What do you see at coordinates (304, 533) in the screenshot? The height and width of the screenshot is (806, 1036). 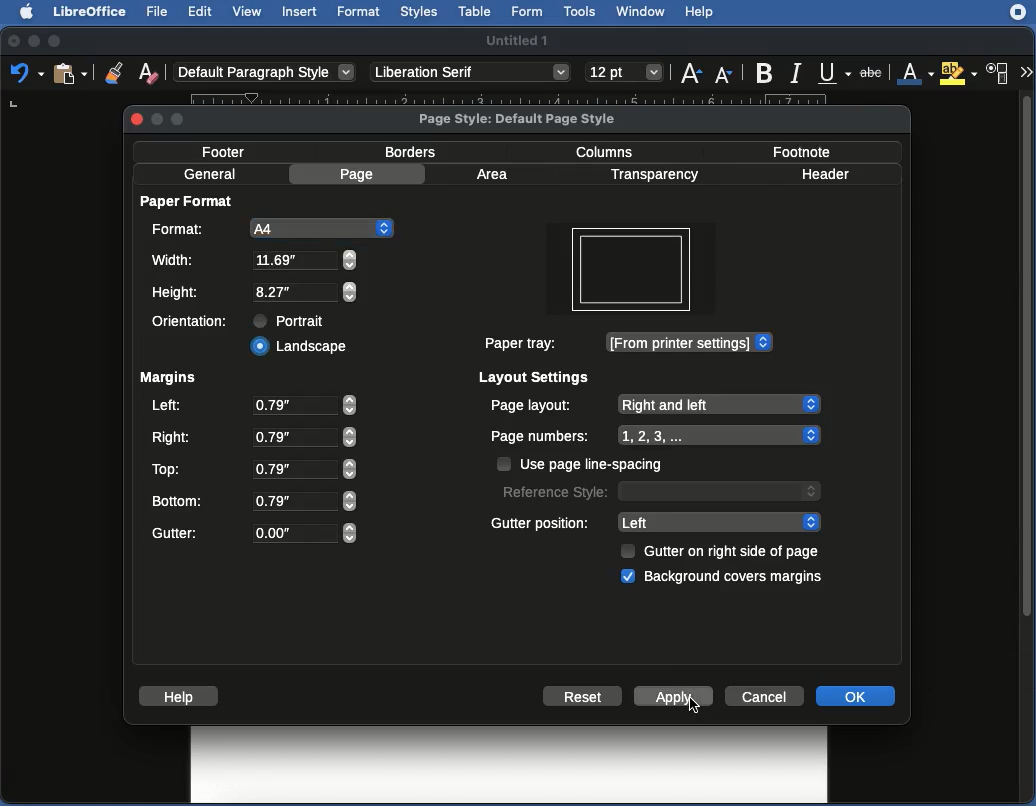 I see `O` at bounding box center [304, 533].